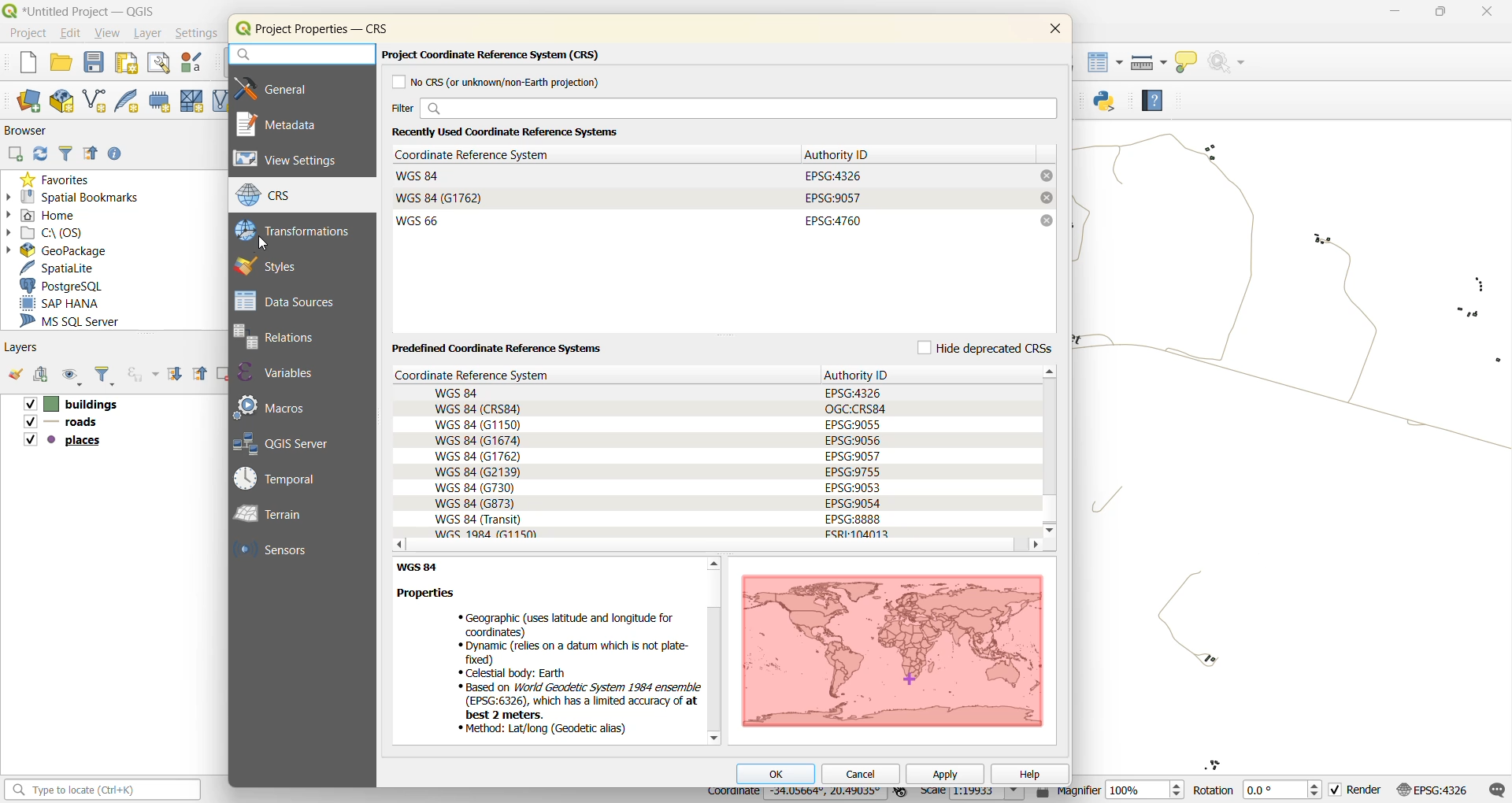  Describe the element at coordinates (67, 154) in the screenshot. I see `filter` at that location.